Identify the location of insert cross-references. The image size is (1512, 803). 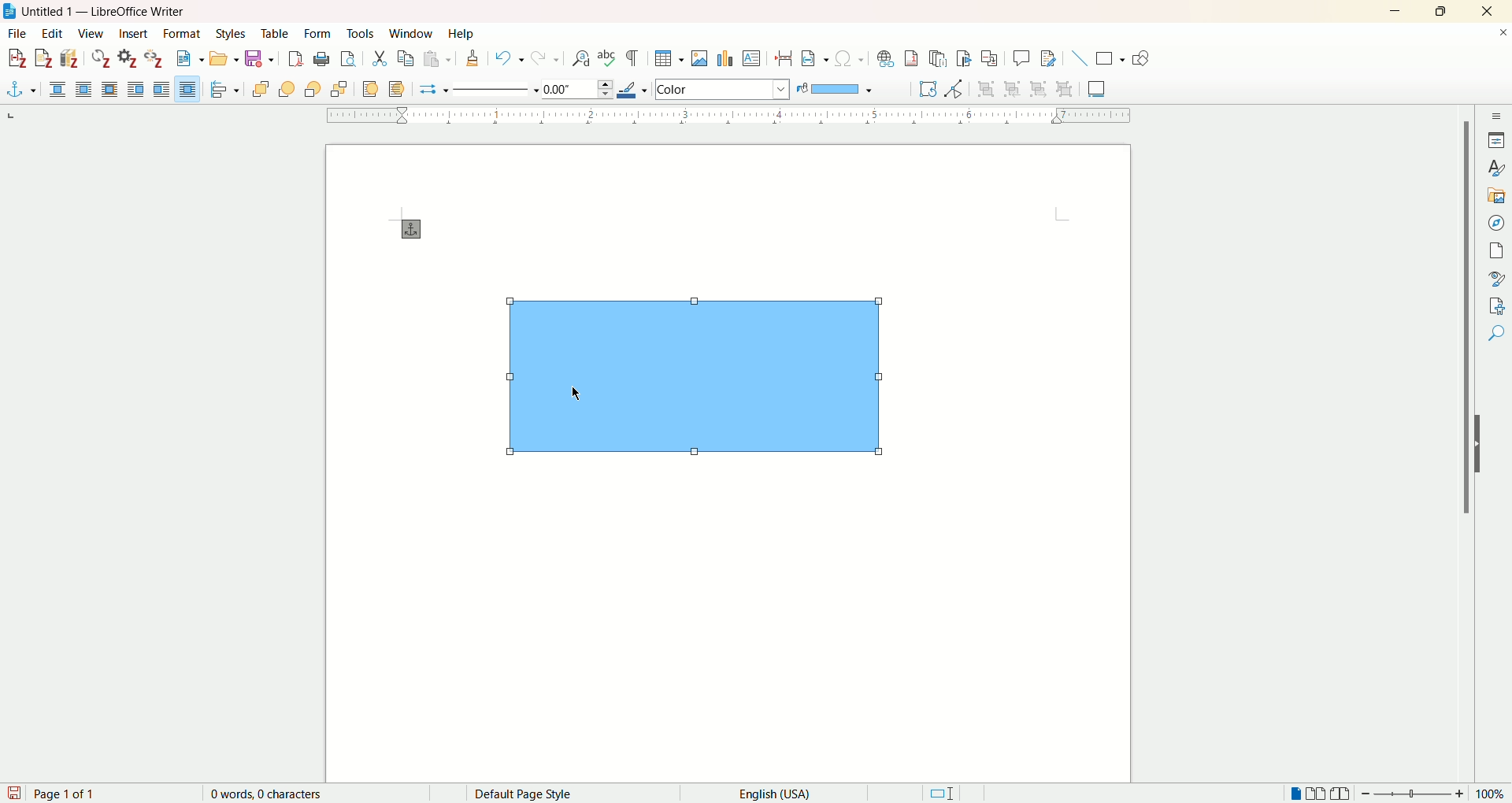
(991, 58).